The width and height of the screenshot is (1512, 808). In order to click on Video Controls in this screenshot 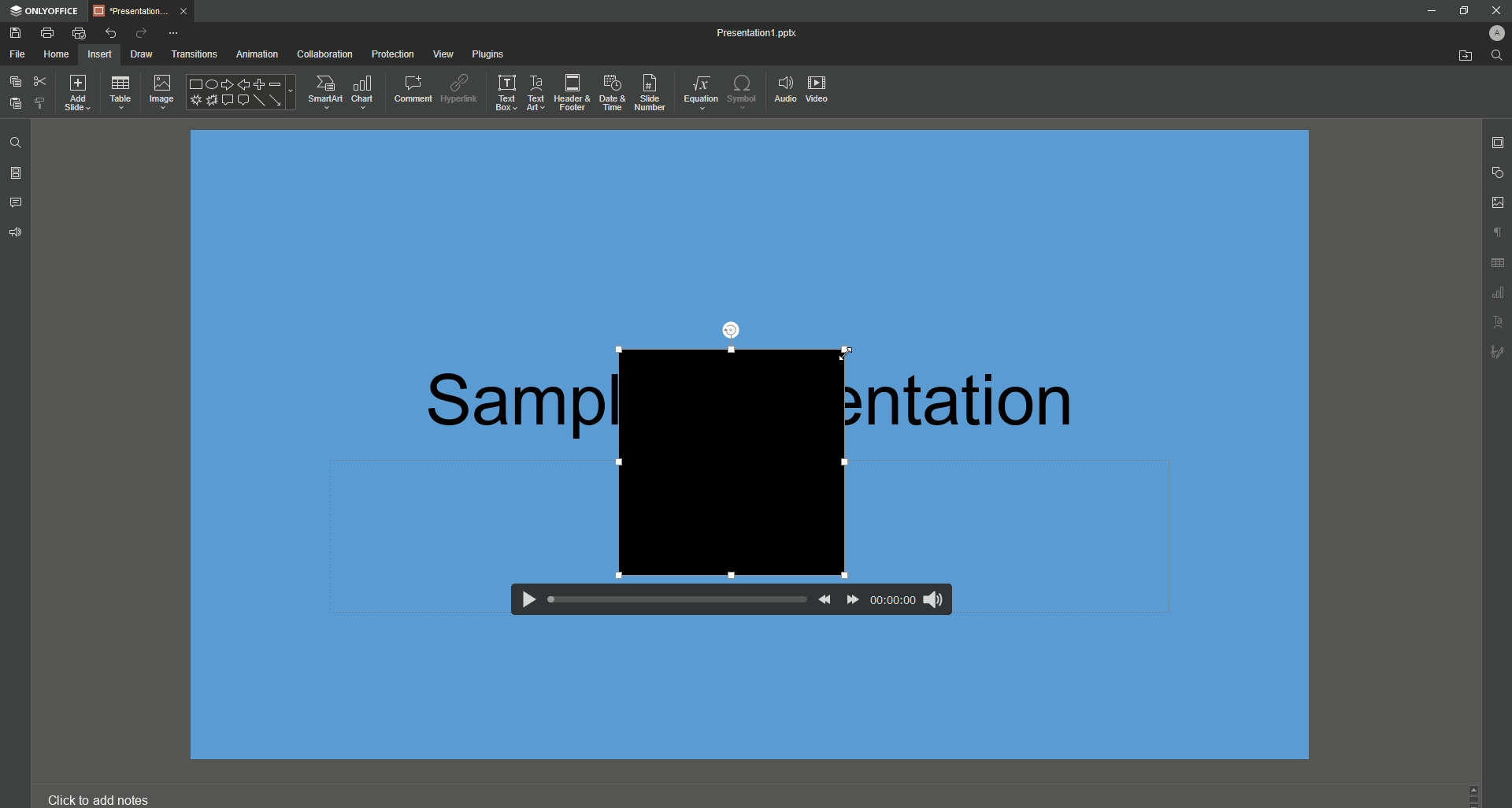, I will do `click(733, 604)`.